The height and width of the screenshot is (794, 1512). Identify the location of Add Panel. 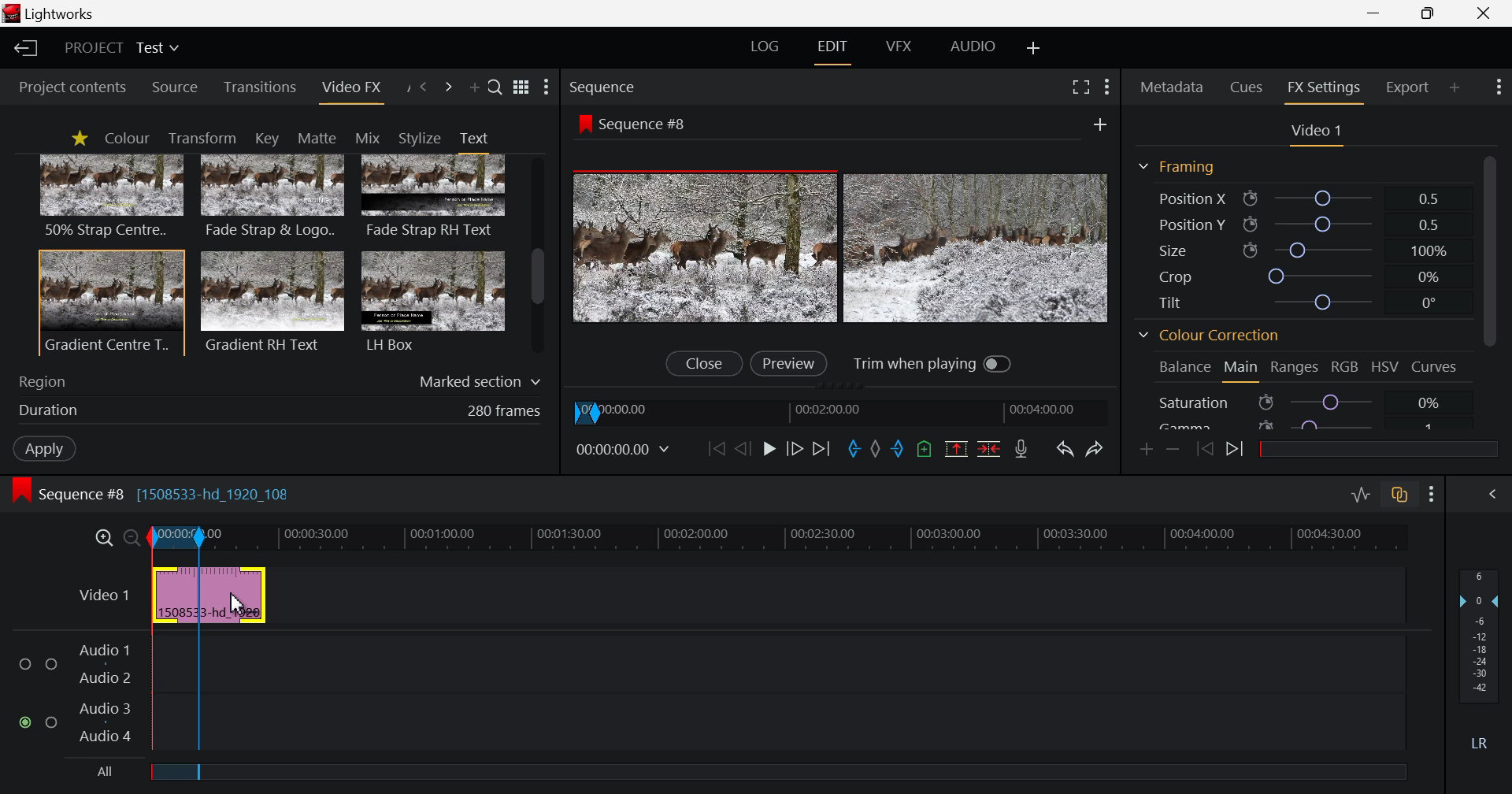
(474, 91).